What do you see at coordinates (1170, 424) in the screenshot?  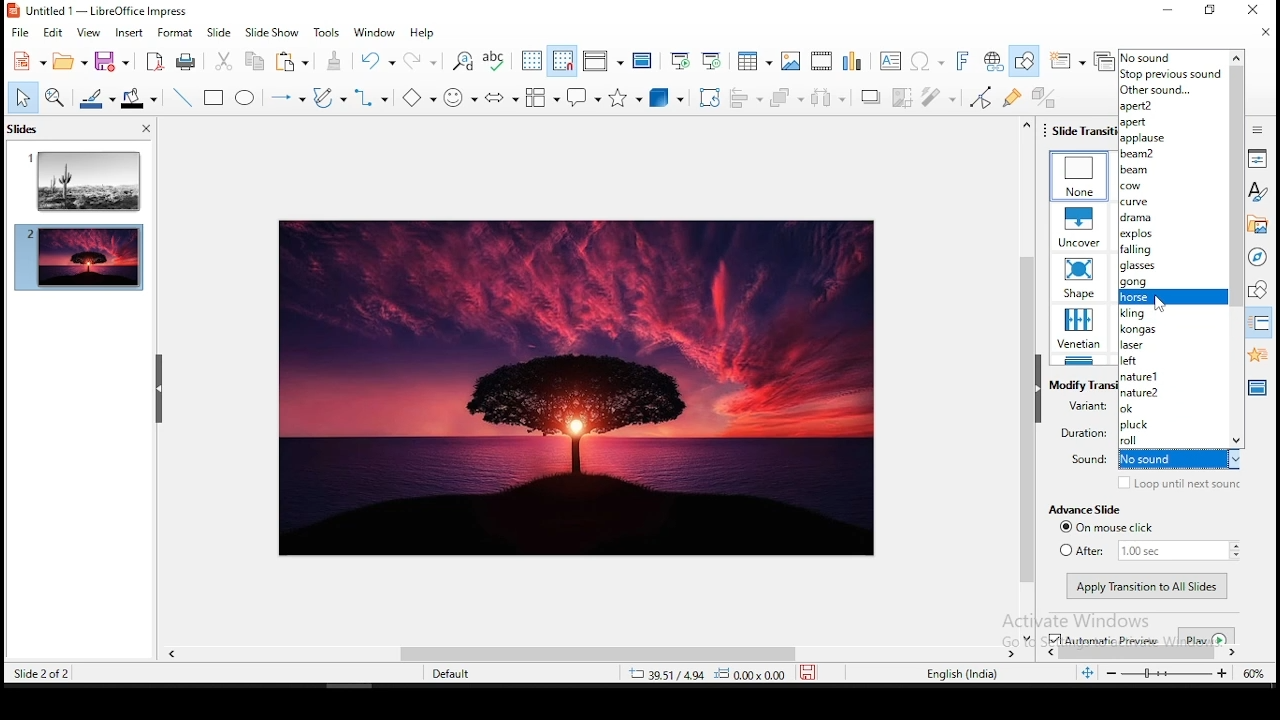 I see `pluck` at bounding box center [1170, 424].